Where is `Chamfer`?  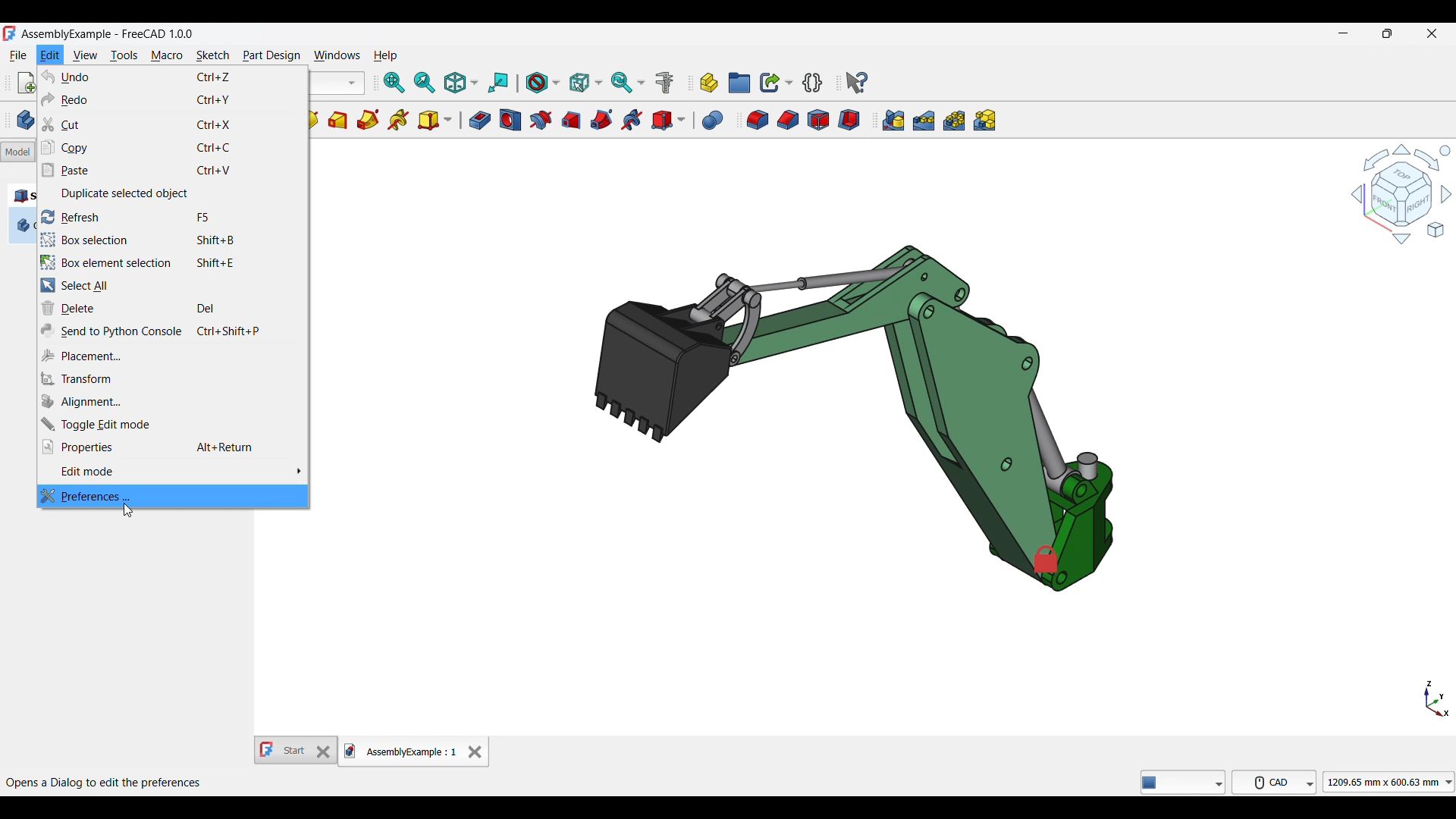
Chamfer is located at coordinates (789, 120).